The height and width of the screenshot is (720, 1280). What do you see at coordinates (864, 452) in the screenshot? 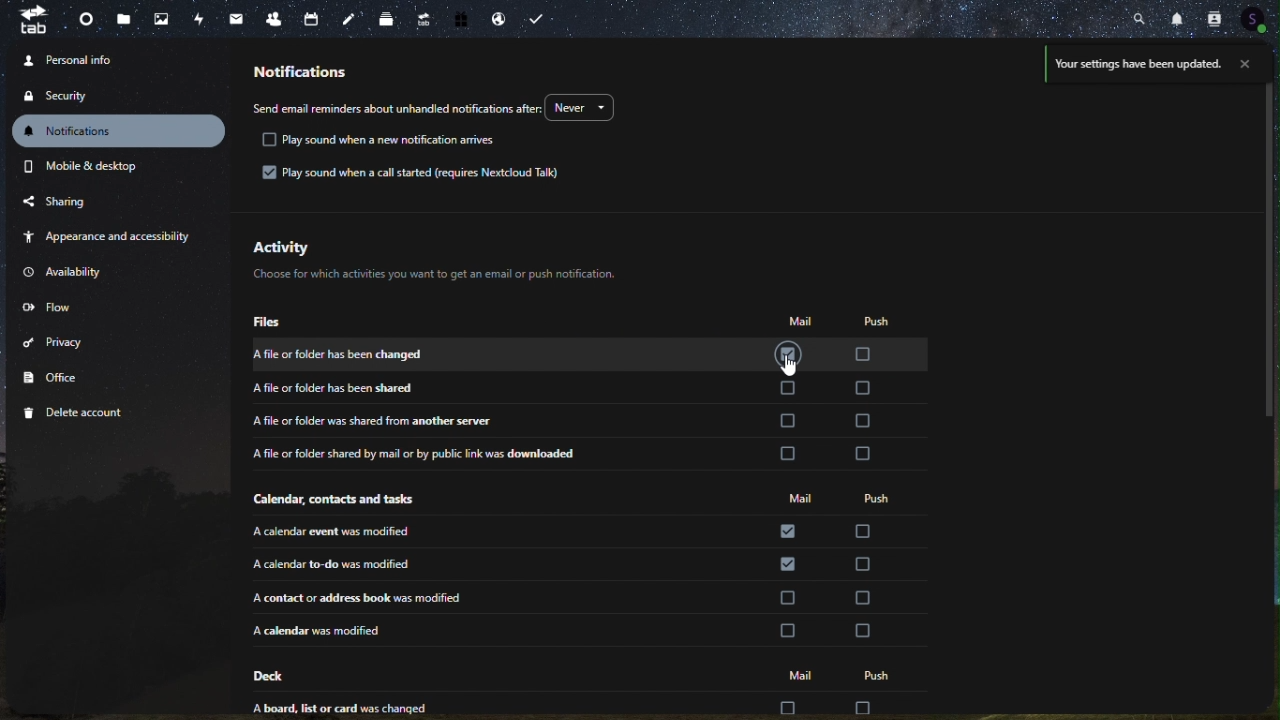
I see `check box` at bounding box center [864, 452].